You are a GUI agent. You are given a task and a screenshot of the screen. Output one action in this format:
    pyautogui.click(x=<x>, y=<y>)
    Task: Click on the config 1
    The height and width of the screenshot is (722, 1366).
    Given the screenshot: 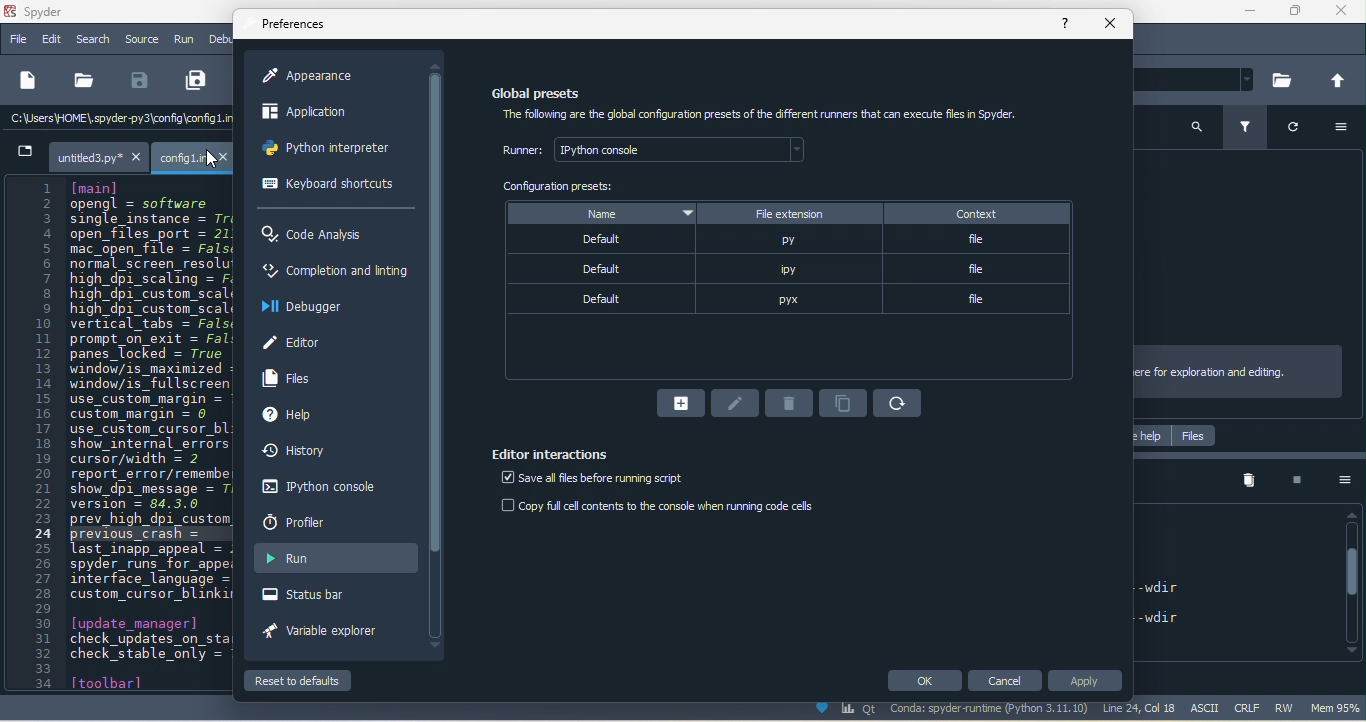 What is the action you would take?
    pyautogui.click(x=192, y=158)
    